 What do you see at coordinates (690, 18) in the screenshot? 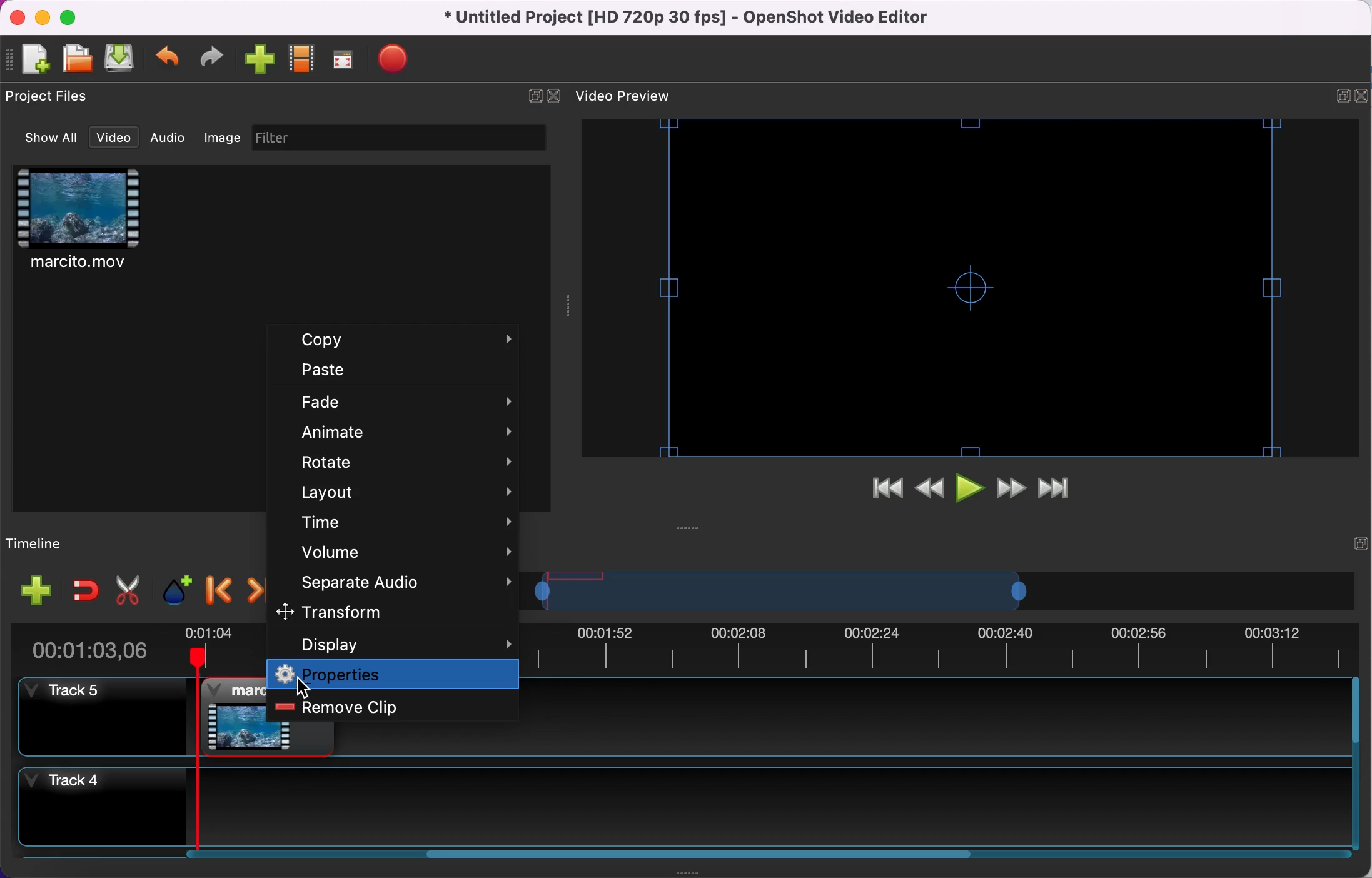
I see `title` at bounding box center [690, 18].